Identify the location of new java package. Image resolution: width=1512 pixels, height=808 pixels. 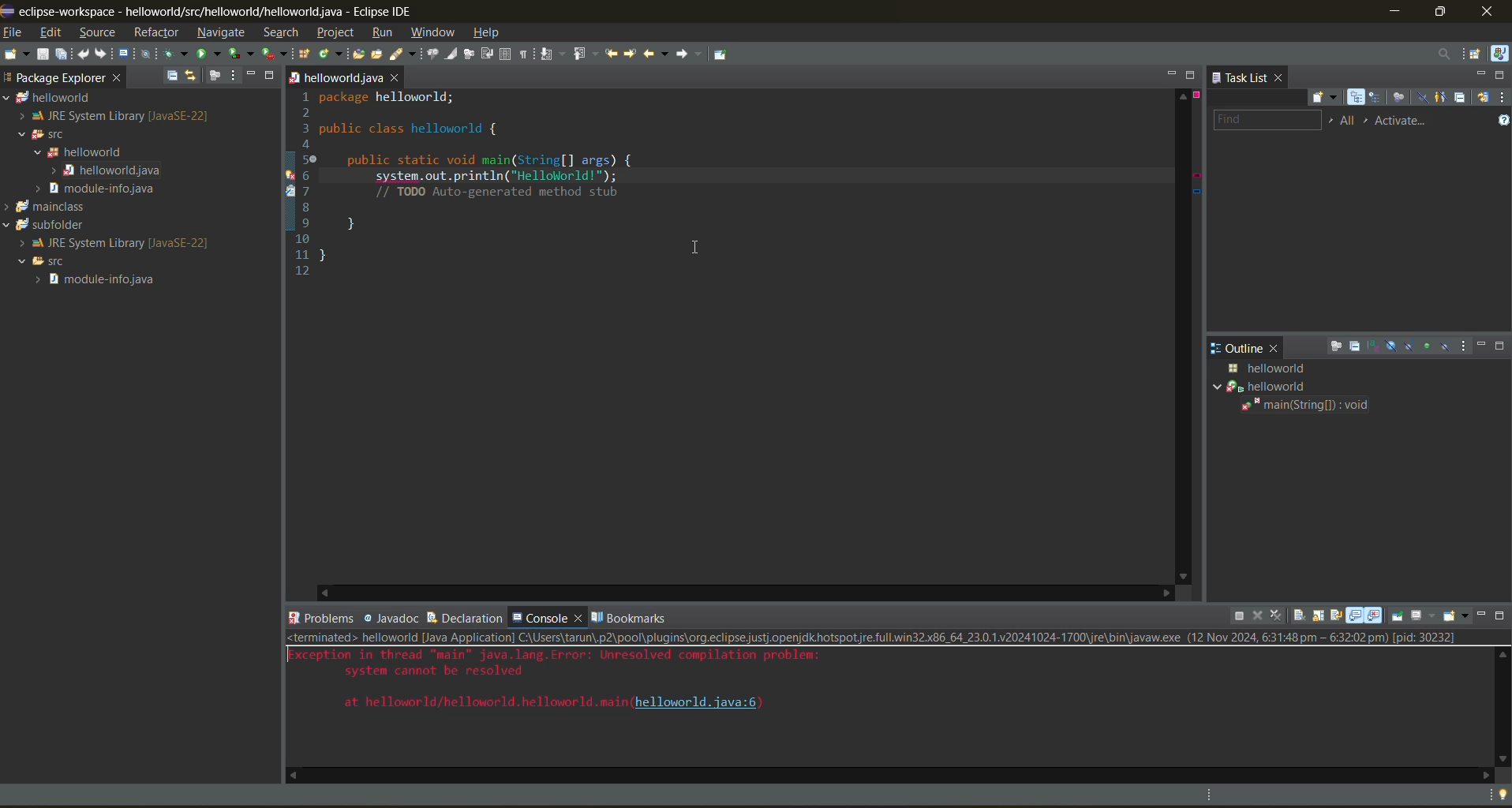
(305, 54).